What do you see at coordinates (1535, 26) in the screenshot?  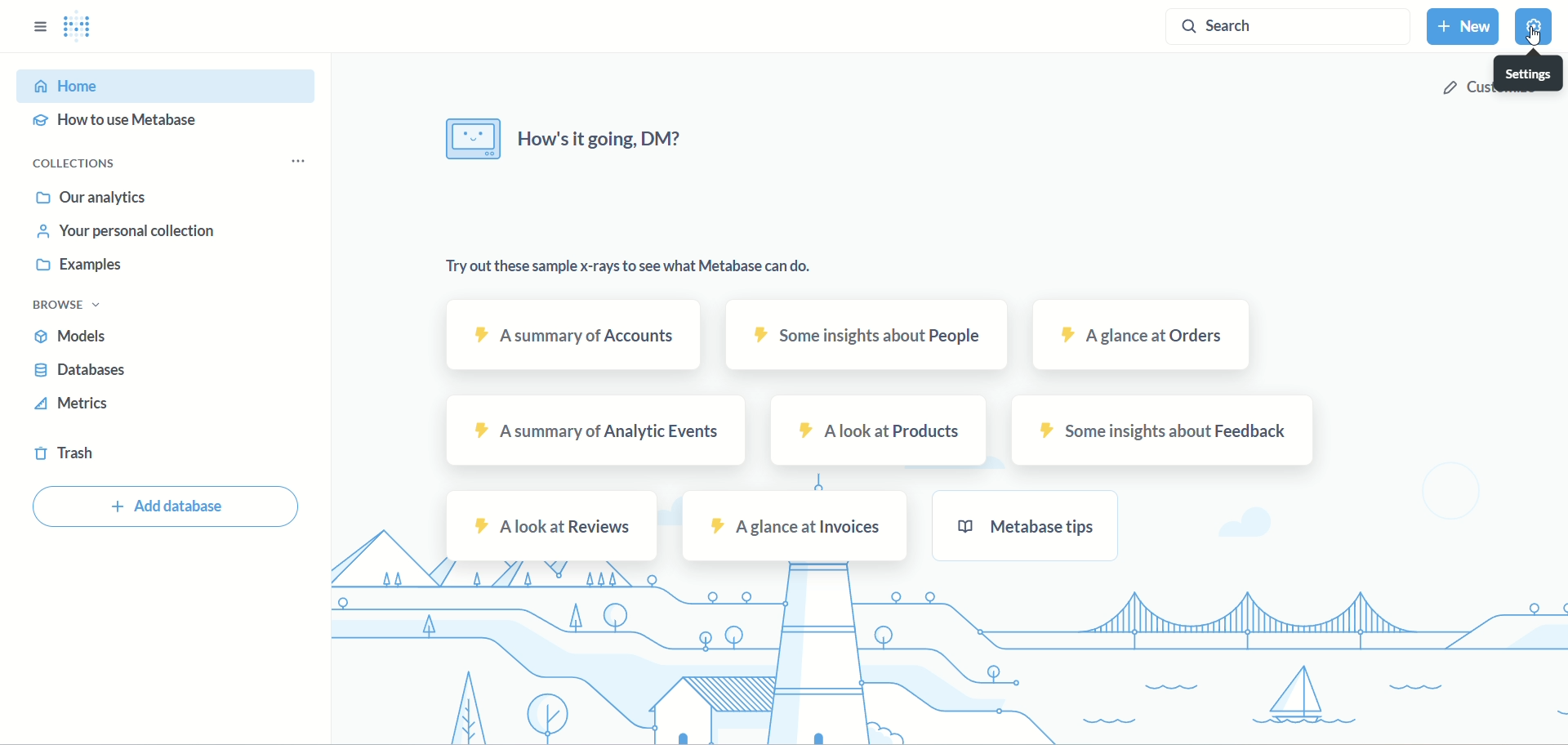 I see `settings` at bounding box center [1535, 26].